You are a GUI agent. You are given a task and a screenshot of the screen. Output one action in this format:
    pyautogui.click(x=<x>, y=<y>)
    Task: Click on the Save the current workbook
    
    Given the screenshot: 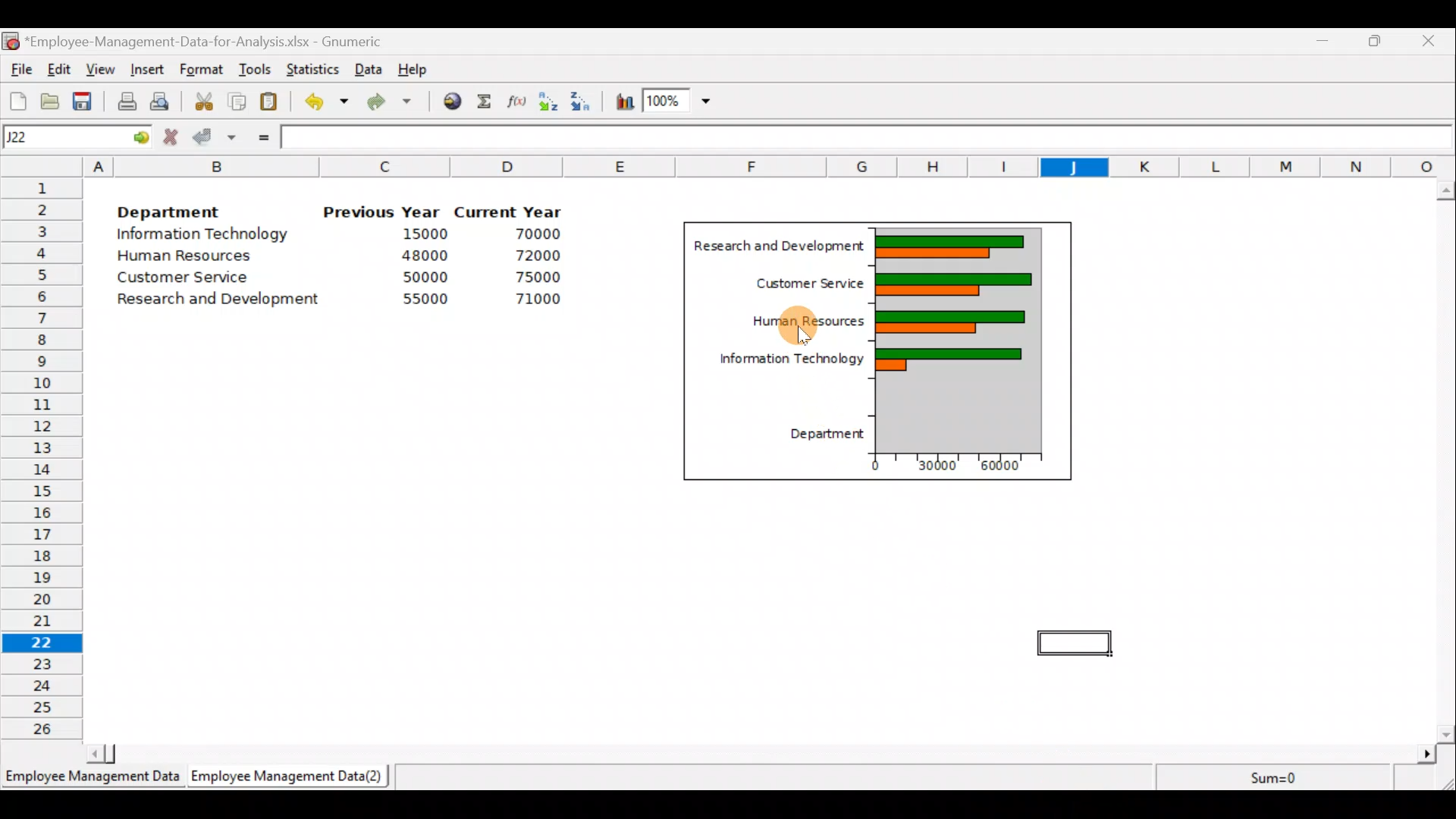 What is the action you would take?
    pyautogui.click(x=83, y=99)
    